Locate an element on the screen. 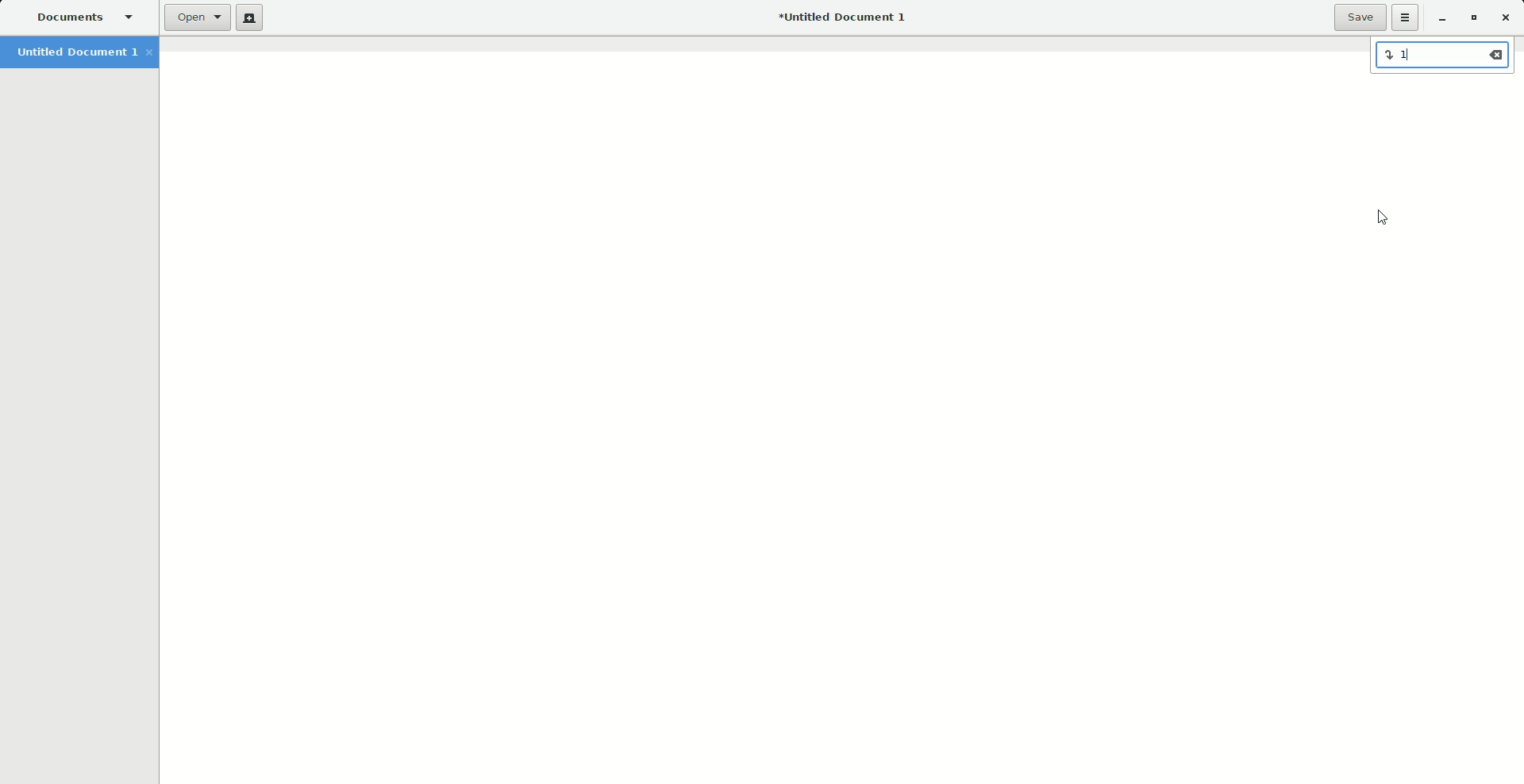 The image size is (1524, 784). Open is located at coordinates (199, 17).